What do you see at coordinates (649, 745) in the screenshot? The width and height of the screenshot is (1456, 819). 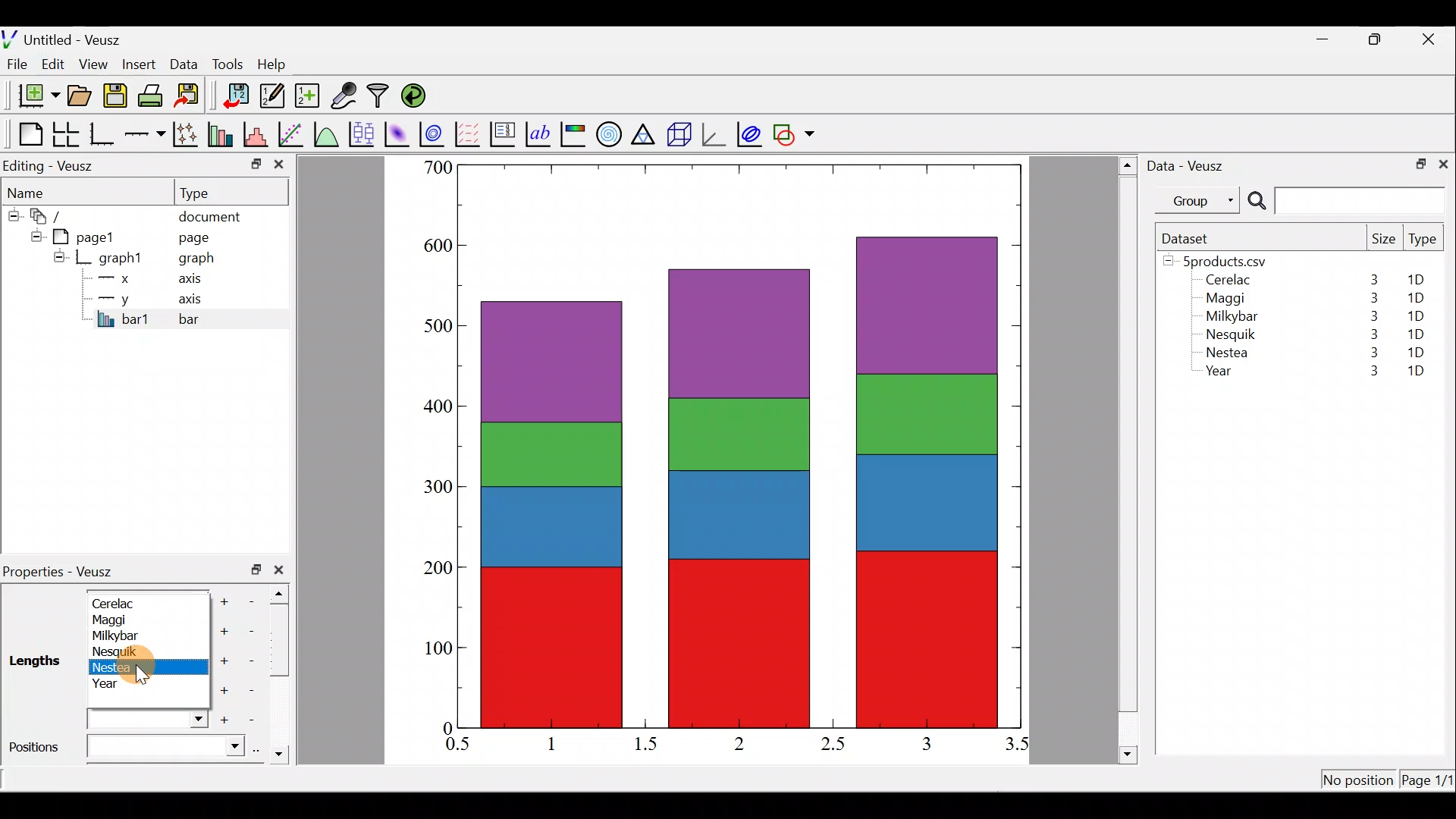 I see `1.5` at bounding box center [649, 745].